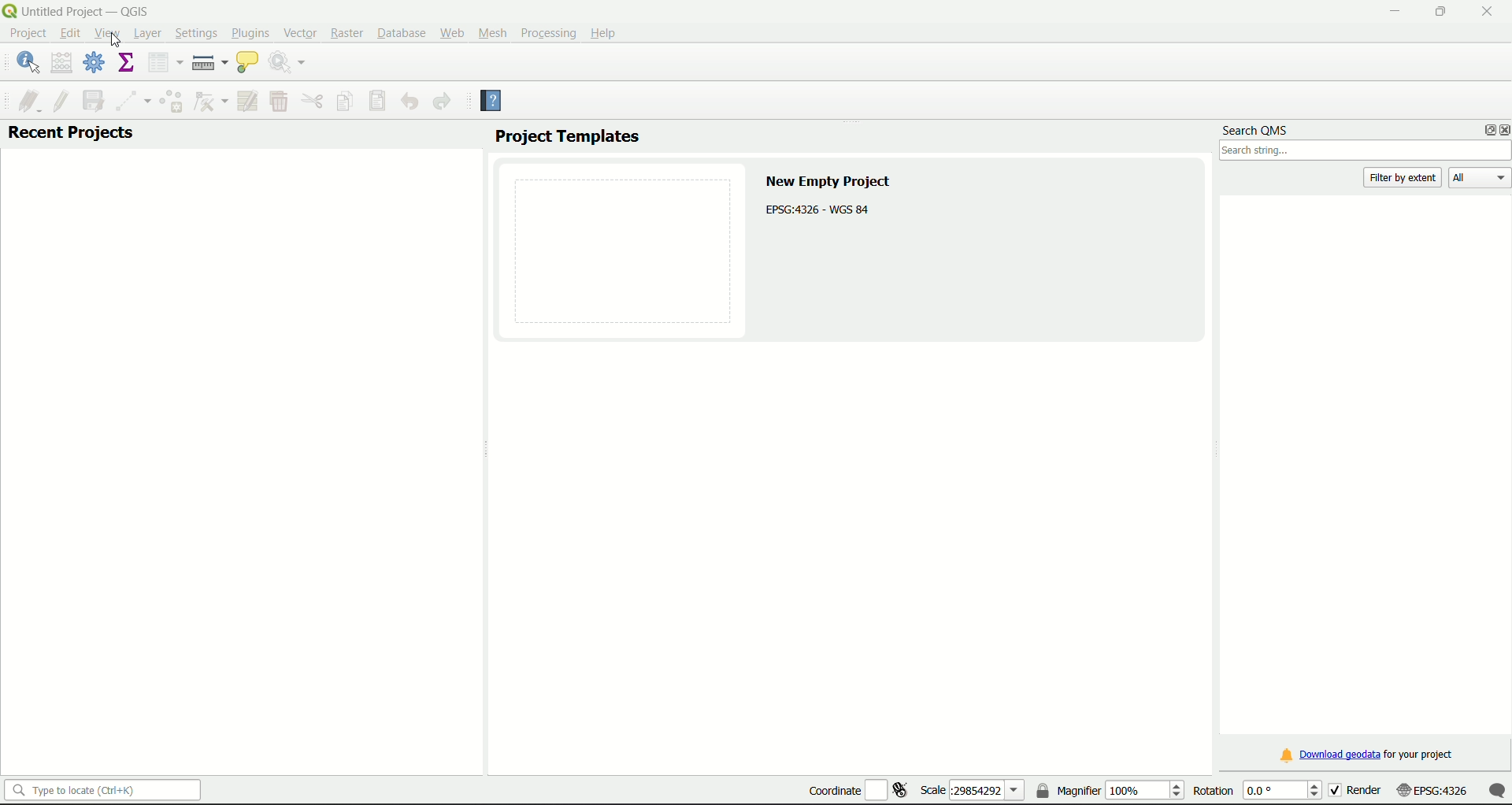  I want to click on Cursor, so click(120, 43).